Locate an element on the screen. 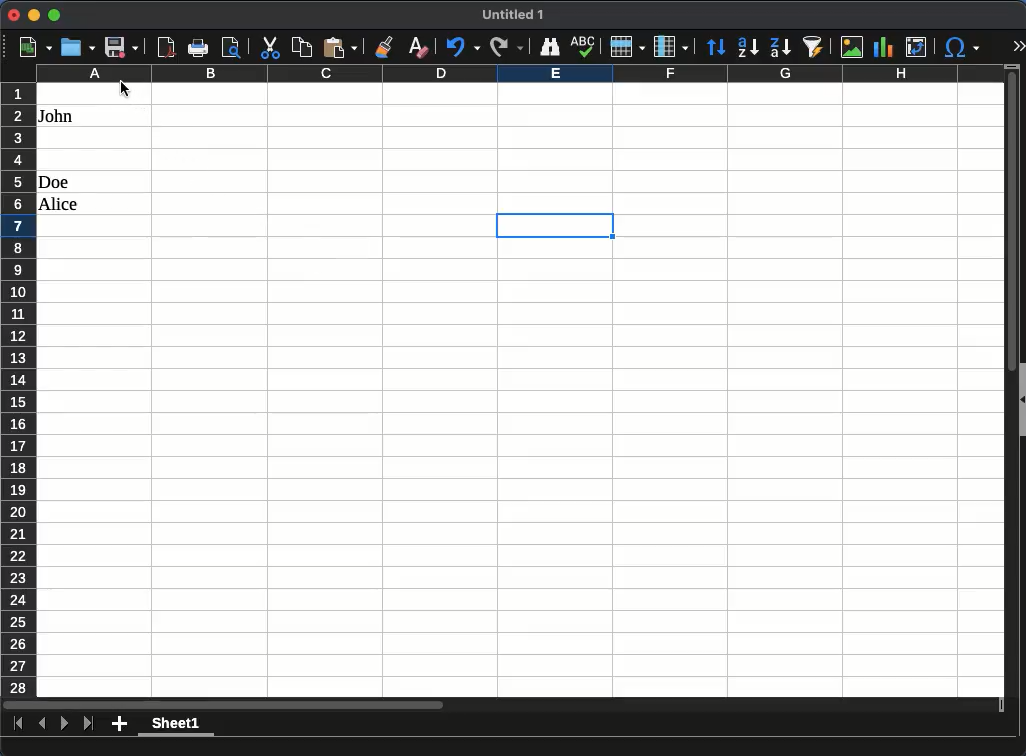  pivot table is located at coordinates (918, 47).